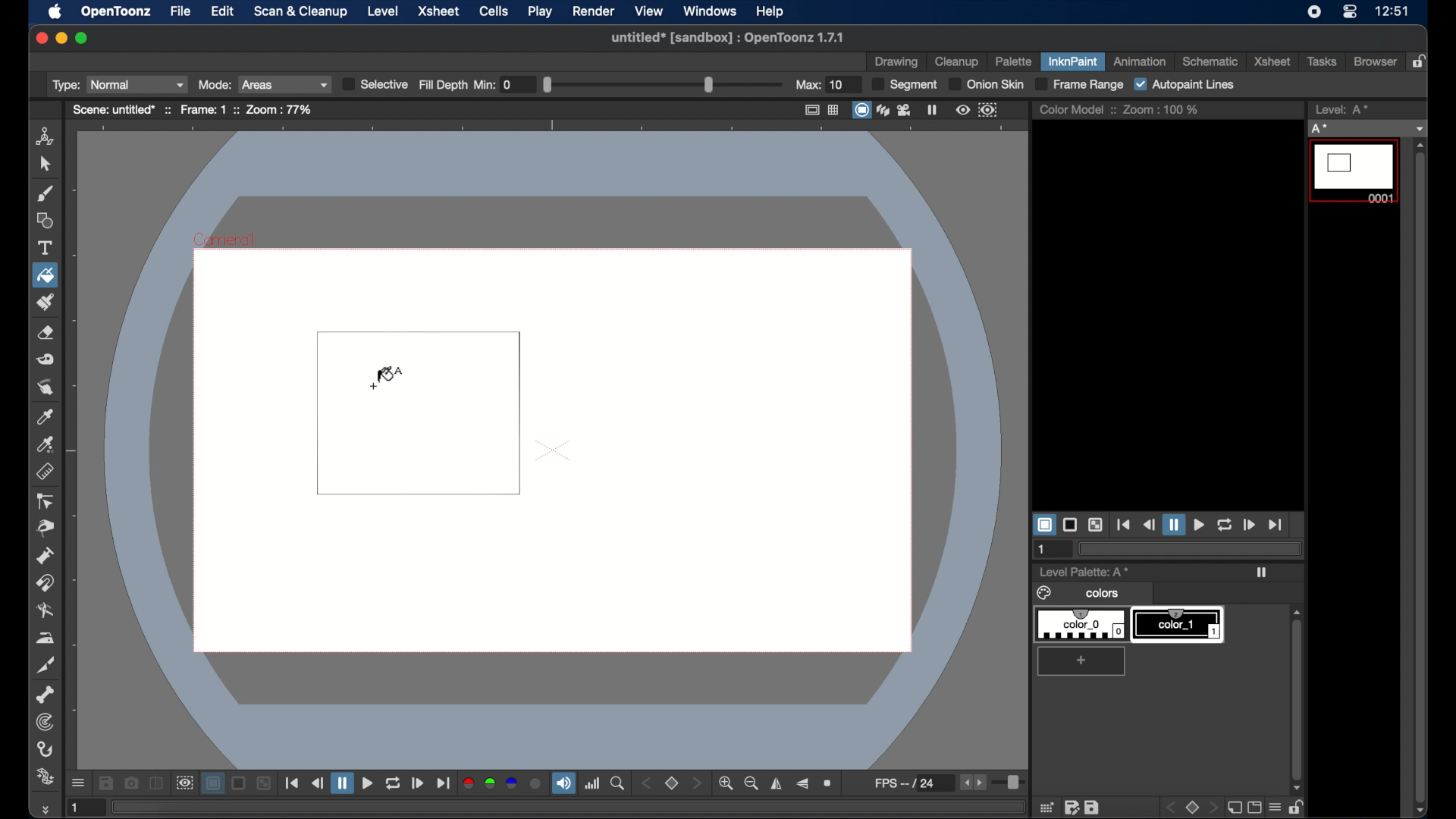 The height and width of the screenshot is (819, 1456). Describe the element at coordinates (443, 783) in the screenshot. I see `jump to end` at that location.